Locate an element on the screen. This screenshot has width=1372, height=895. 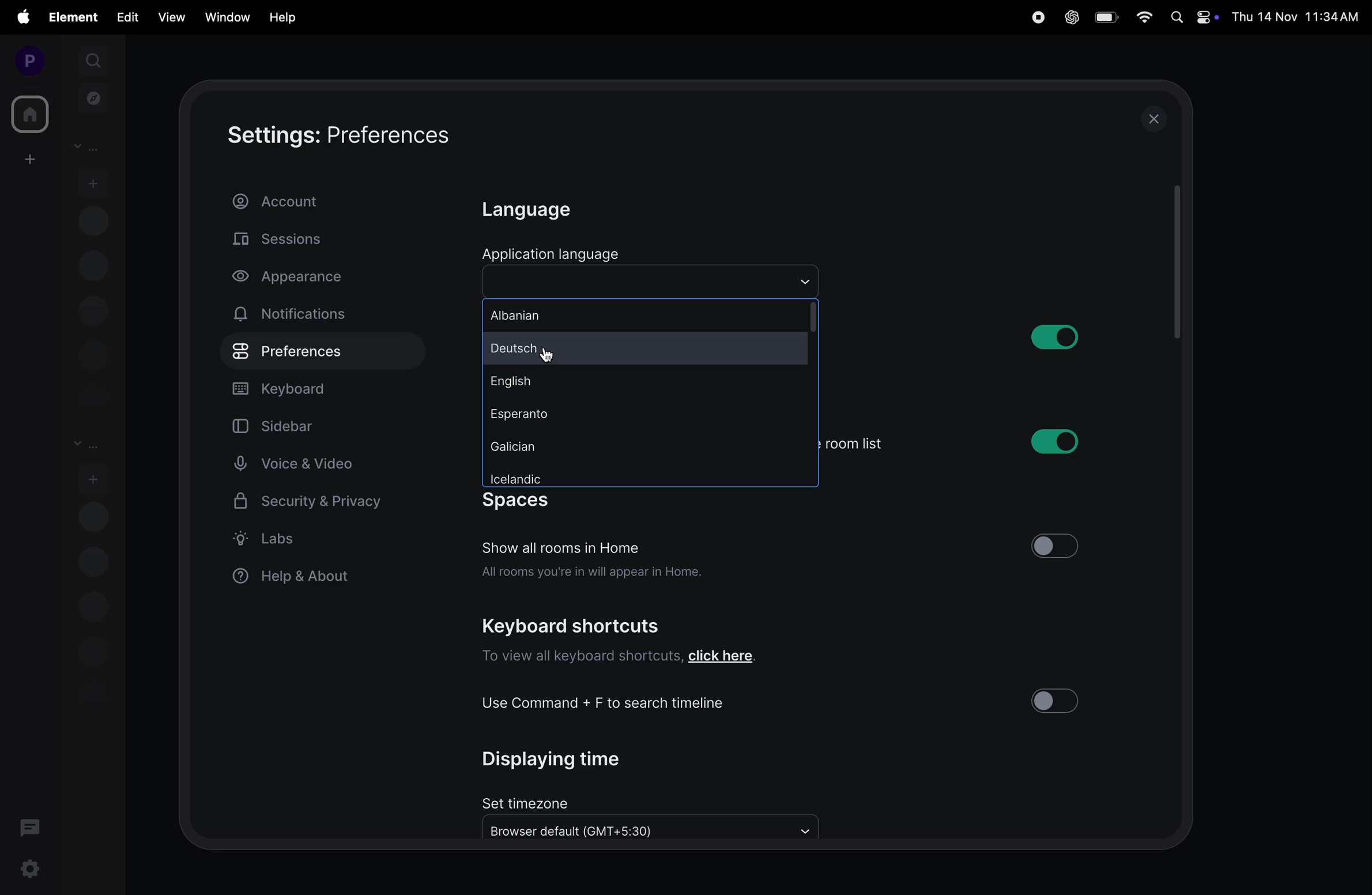
button is located at coordinates (1065, 441).